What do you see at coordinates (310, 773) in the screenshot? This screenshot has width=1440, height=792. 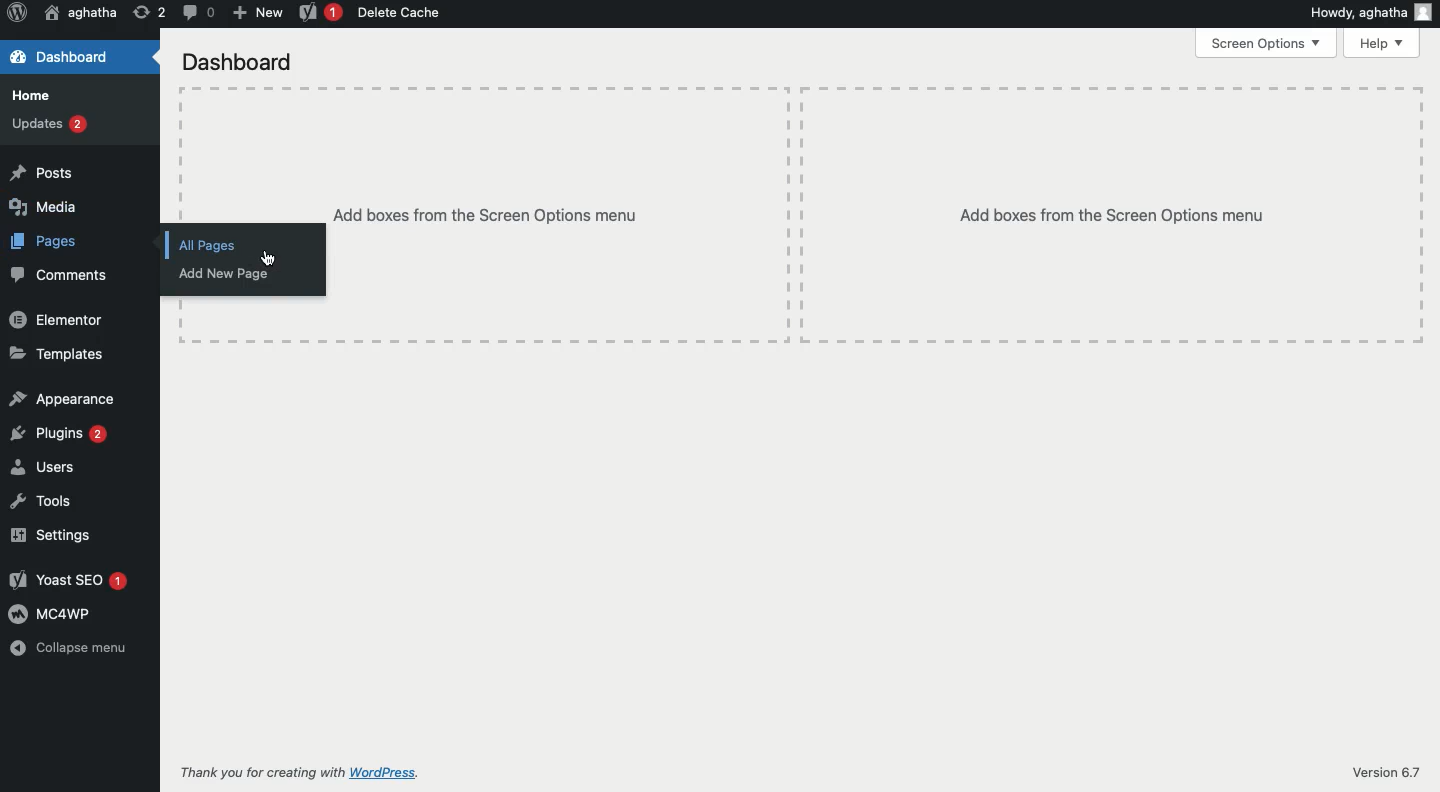 I see `Thank you for creating with wordpress` at bounding box center [310, 773].